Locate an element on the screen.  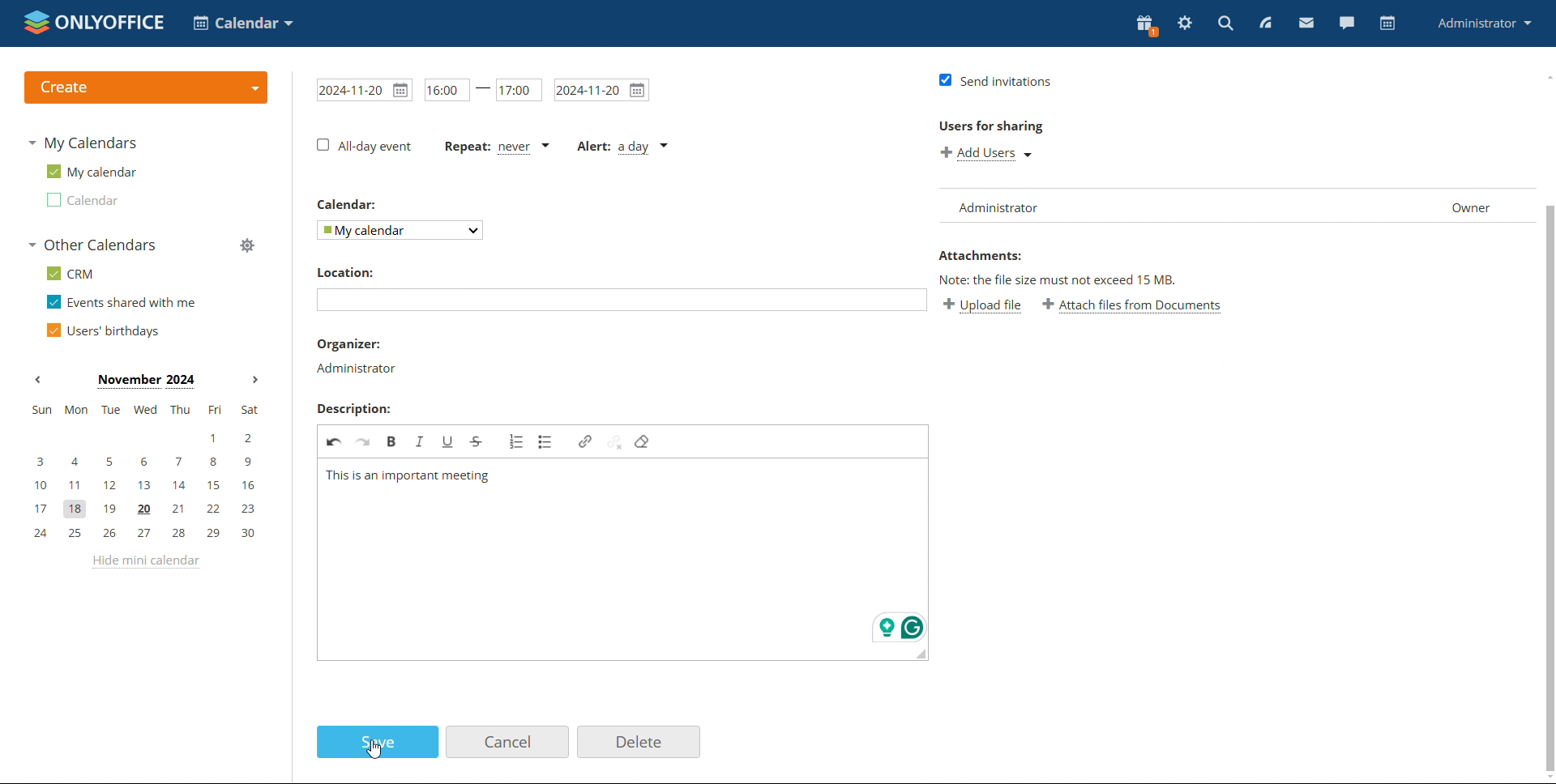
add location is located at coordinates (622, 300).